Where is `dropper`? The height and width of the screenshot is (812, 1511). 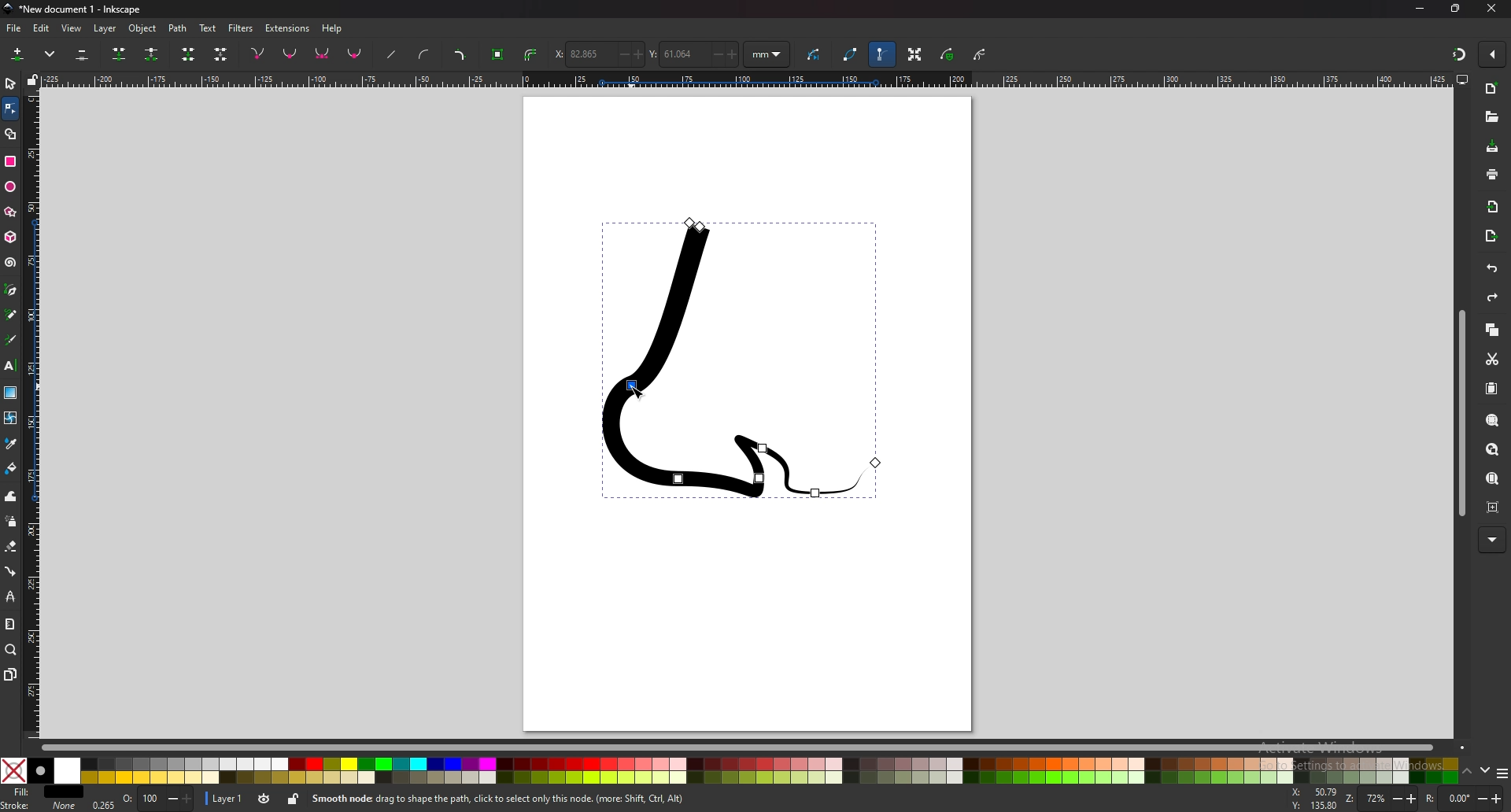
dropper is located at coordinates (11, 444).